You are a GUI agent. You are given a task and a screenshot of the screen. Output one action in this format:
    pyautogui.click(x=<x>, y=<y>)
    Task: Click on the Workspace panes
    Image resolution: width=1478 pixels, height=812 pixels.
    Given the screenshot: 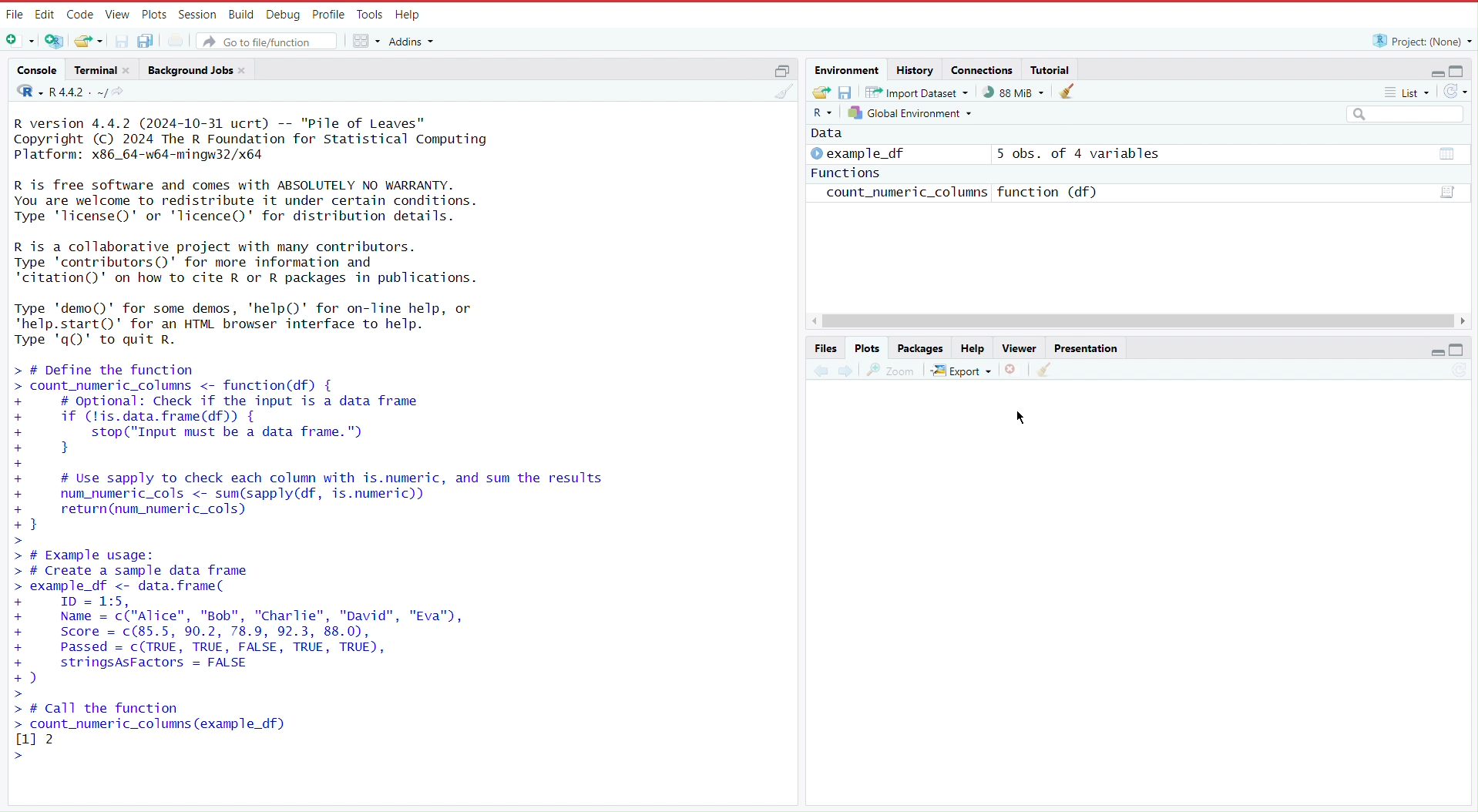 What is the action you would take?
    pyautogui.click(x=365, y=39)
    